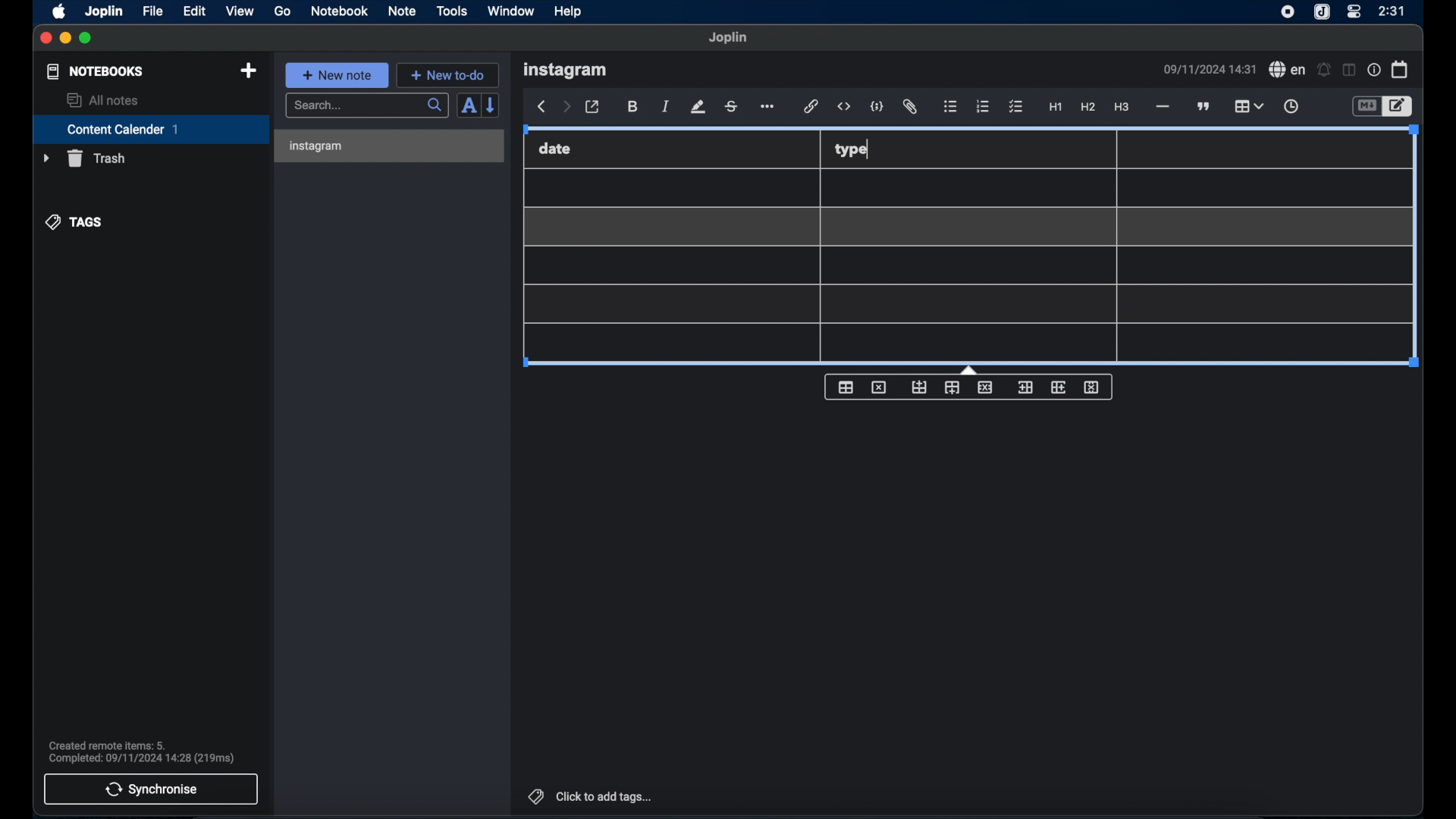 This screenshot has width=1456, height=819. I want to click on new notebook, so click(249, 71).